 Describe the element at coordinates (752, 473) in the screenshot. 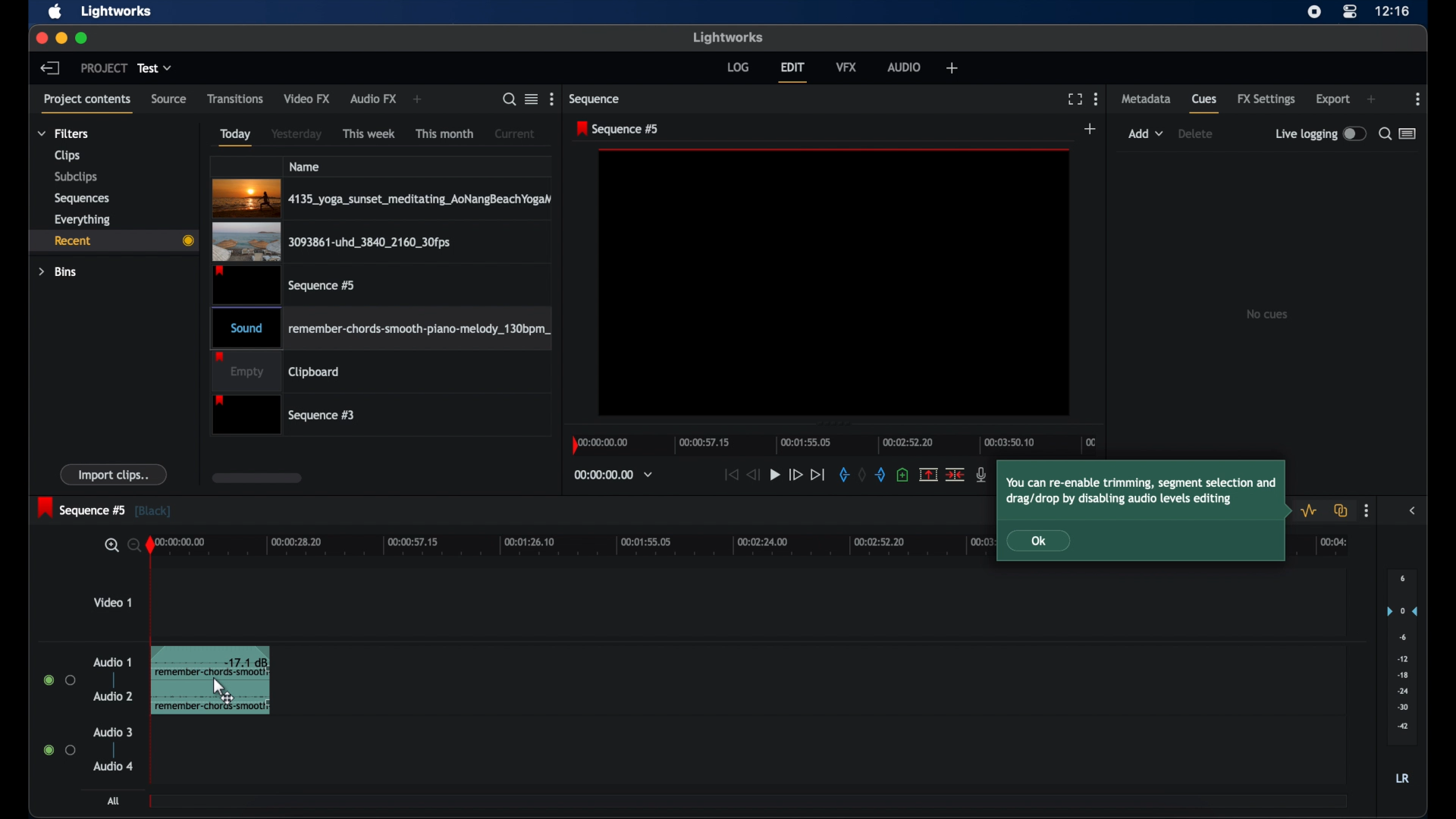

I see `rewind` at that location.